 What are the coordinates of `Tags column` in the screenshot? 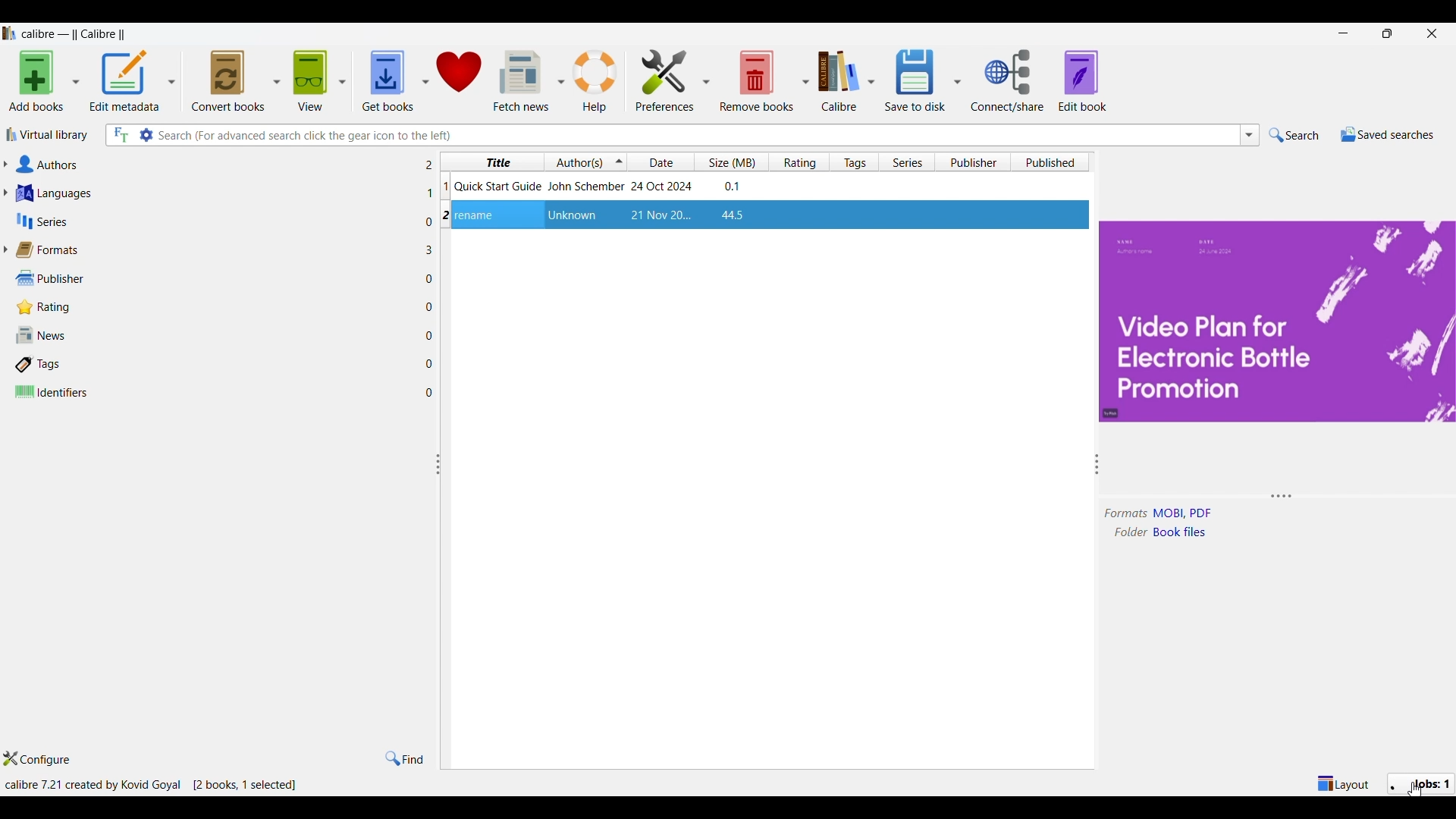 It's located at (854, 162).